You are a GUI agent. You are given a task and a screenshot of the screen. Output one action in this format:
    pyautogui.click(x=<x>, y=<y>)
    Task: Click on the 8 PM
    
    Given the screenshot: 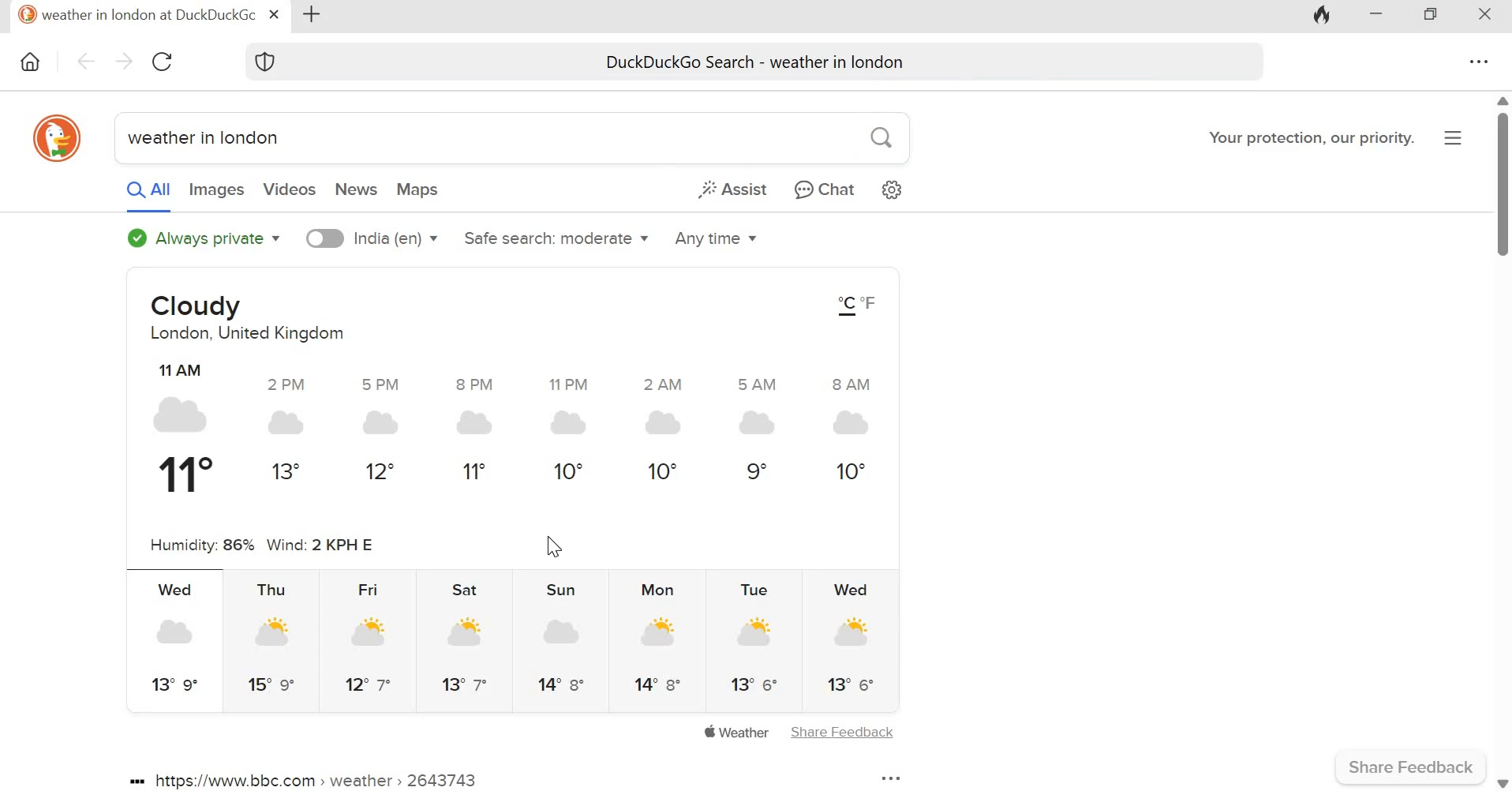 What is the action you would take?
    pyautogui.click(x=474, y=384)
    